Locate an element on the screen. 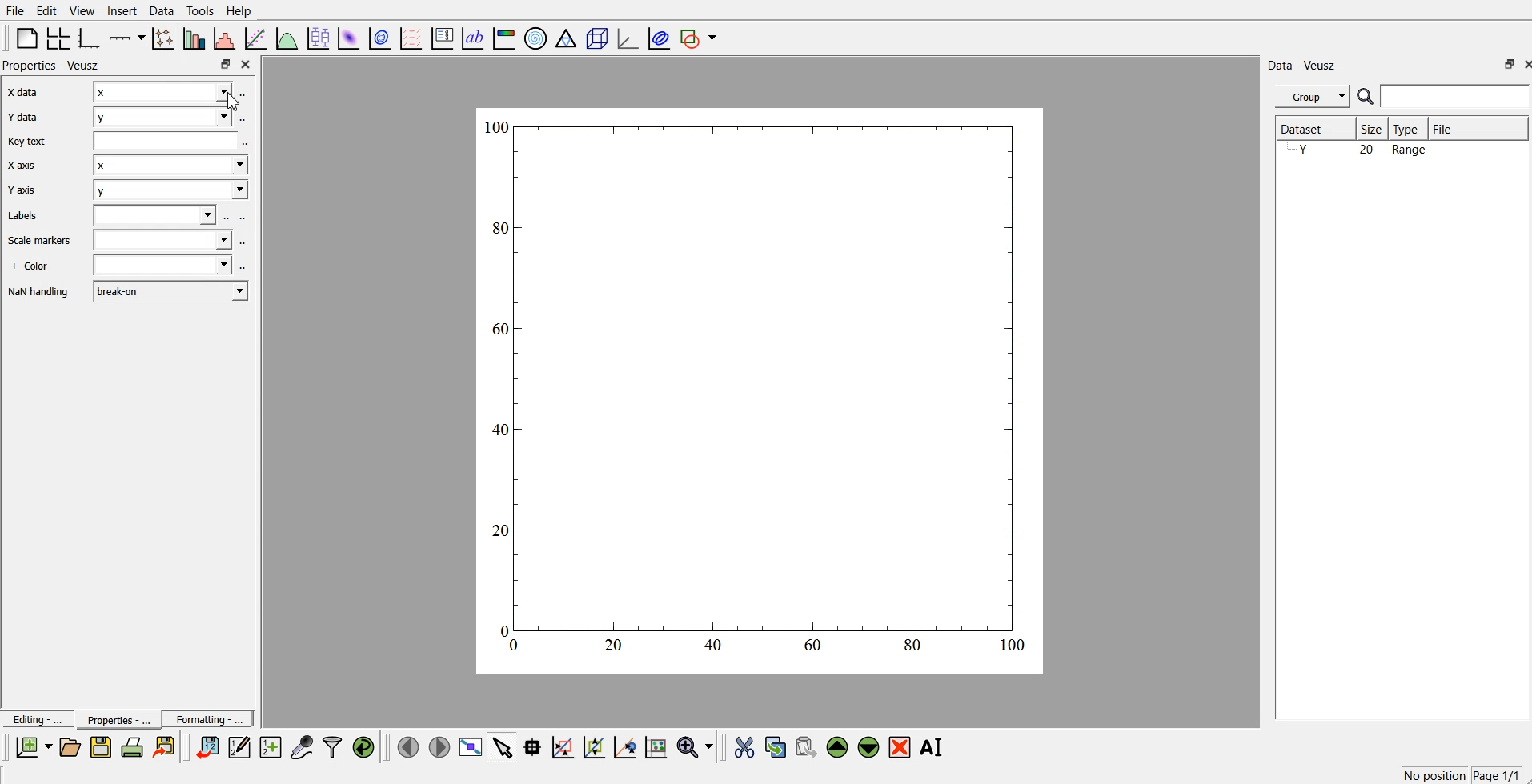 The height and width of the screenshot is (784, 1532). Min/Max is located at coordinates (226, 64).